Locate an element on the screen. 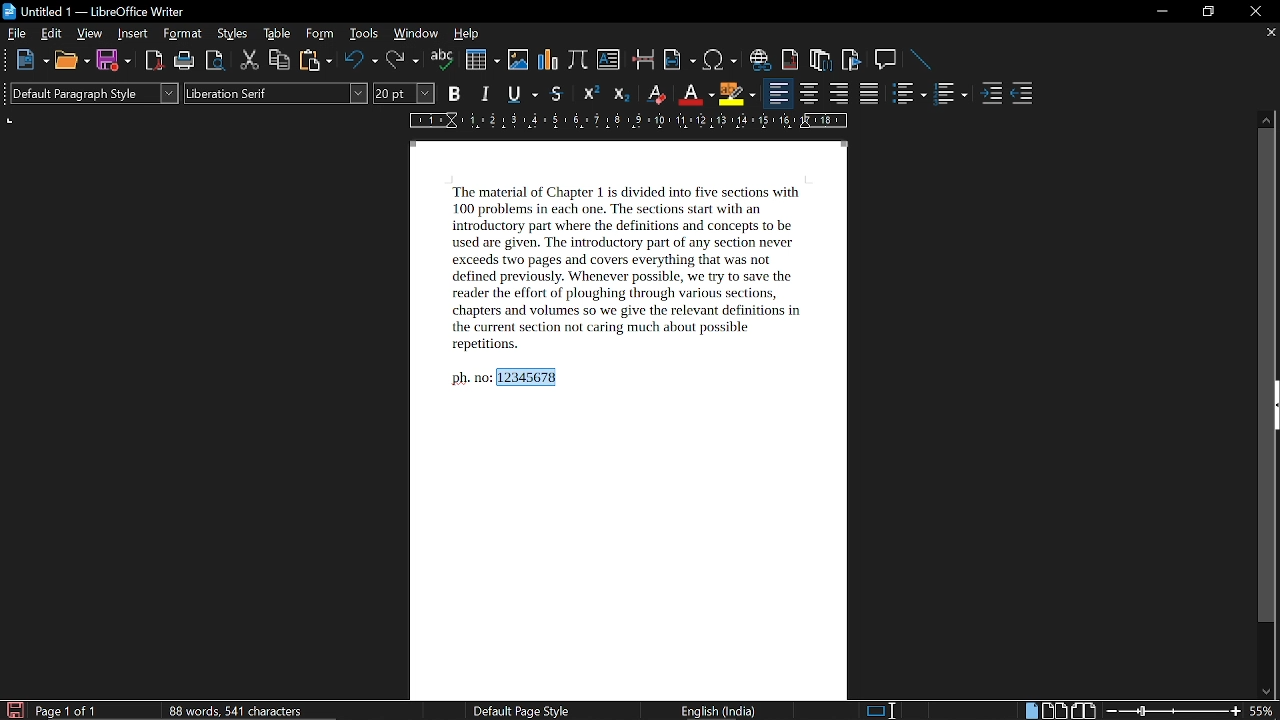 This screenshot has height=720, width=1280. Default paragraph style is located at coordinates (94, 93).